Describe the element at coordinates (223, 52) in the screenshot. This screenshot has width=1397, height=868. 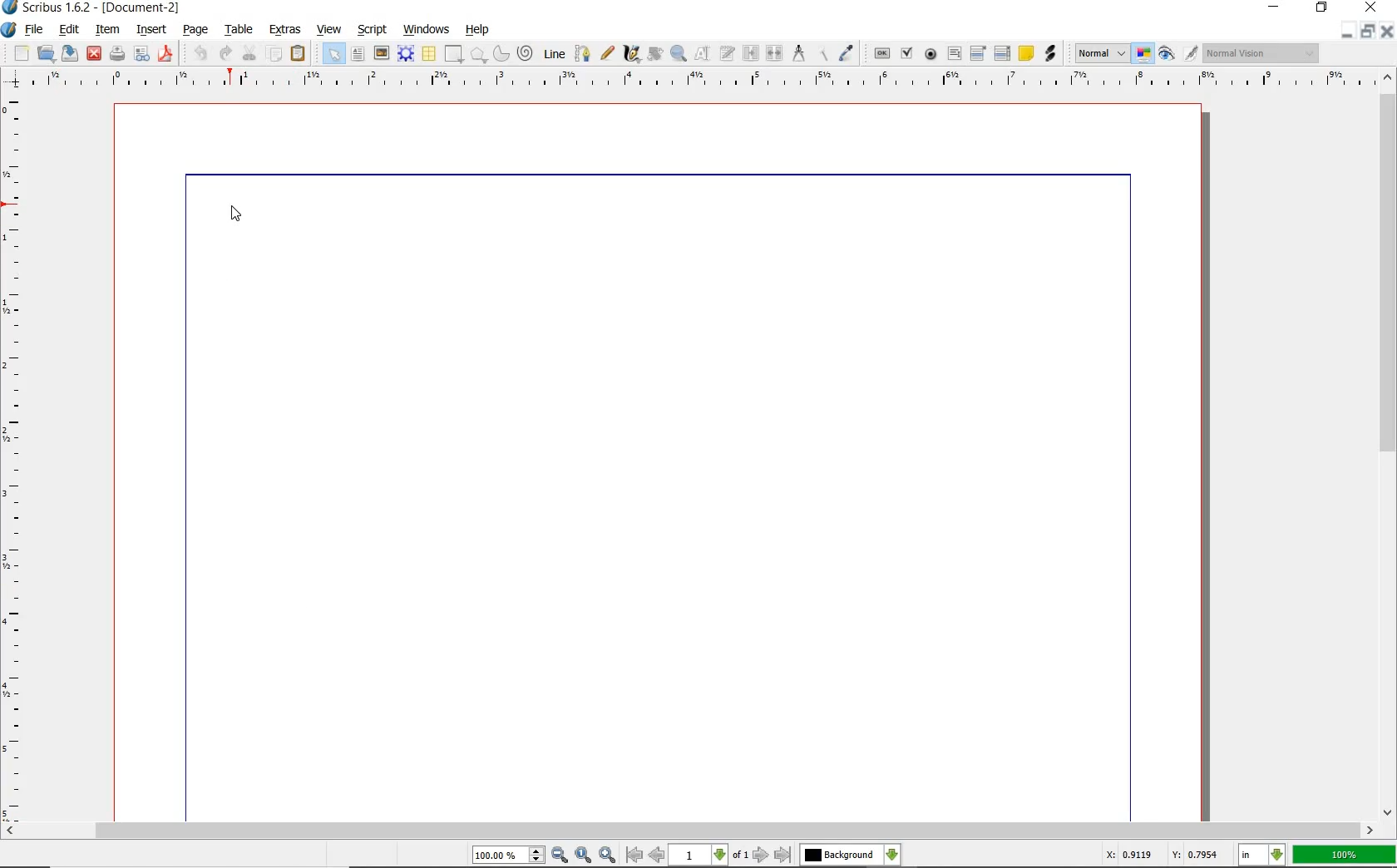
I see `redo` at that location.